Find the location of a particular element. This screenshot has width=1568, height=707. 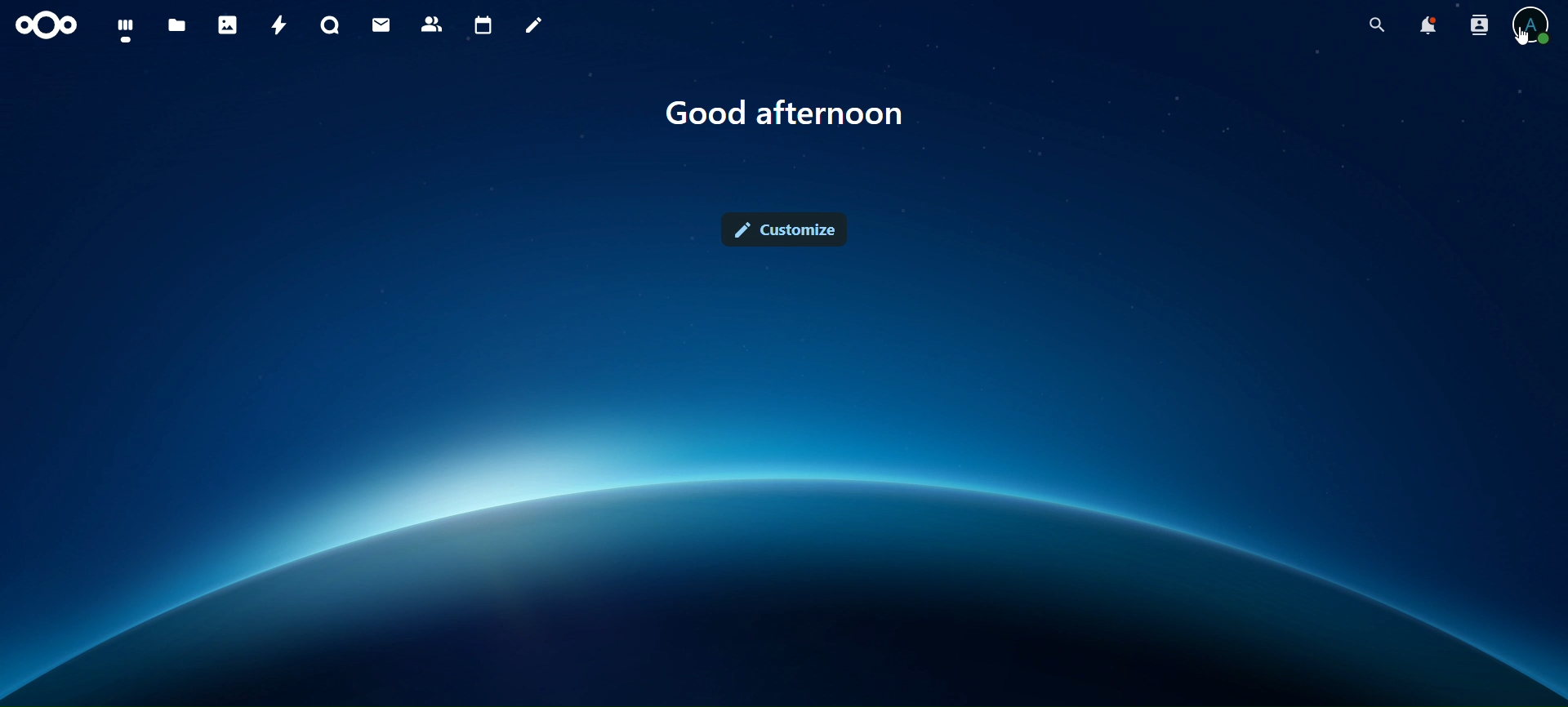

search is located at coordinates (1377, 25).